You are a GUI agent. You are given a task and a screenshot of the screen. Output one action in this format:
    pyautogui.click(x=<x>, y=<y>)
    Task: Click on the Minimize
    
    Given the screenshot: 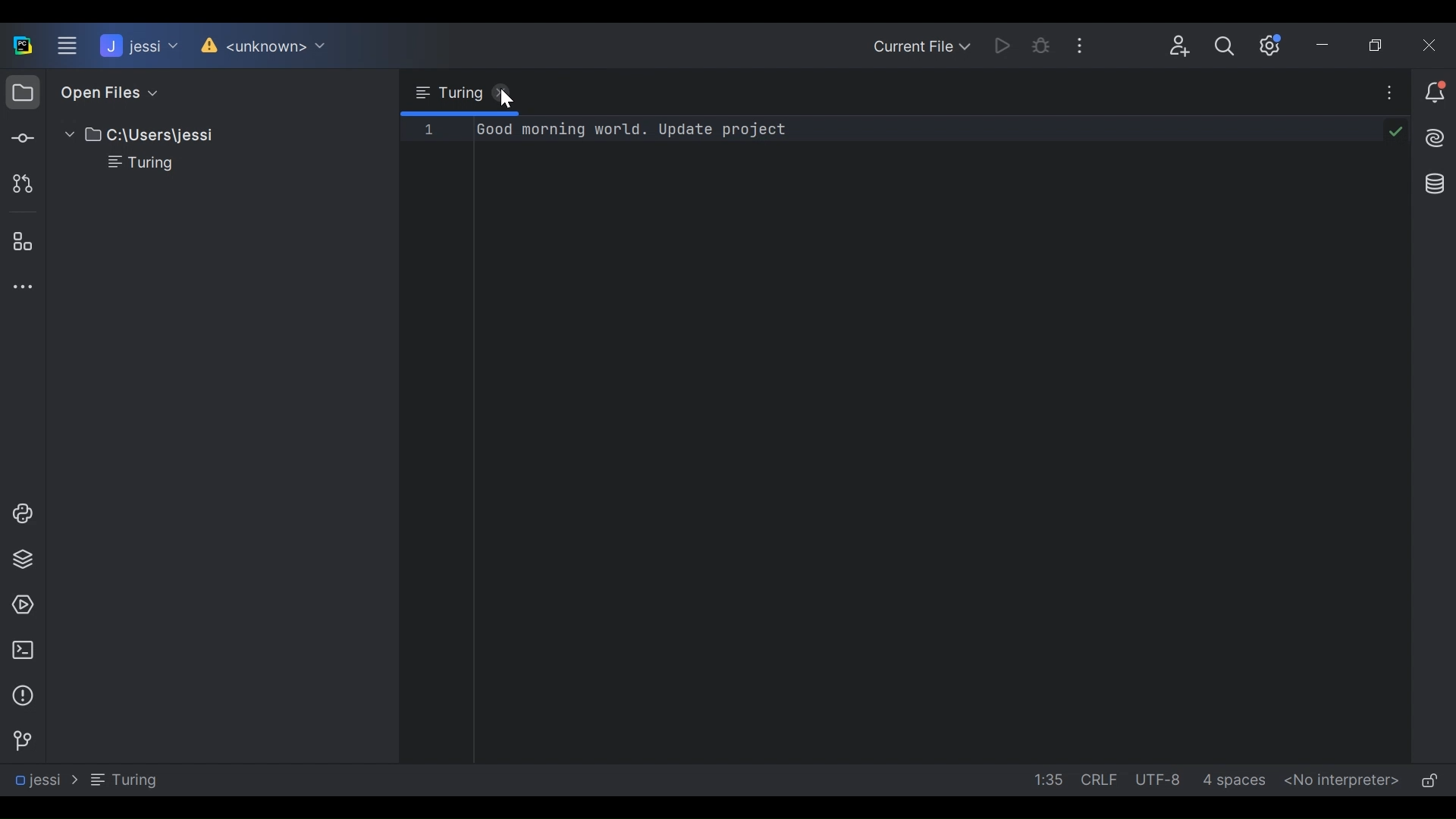 What is the action you would take?
    pyautogui.click(x=1328, y=45)
    